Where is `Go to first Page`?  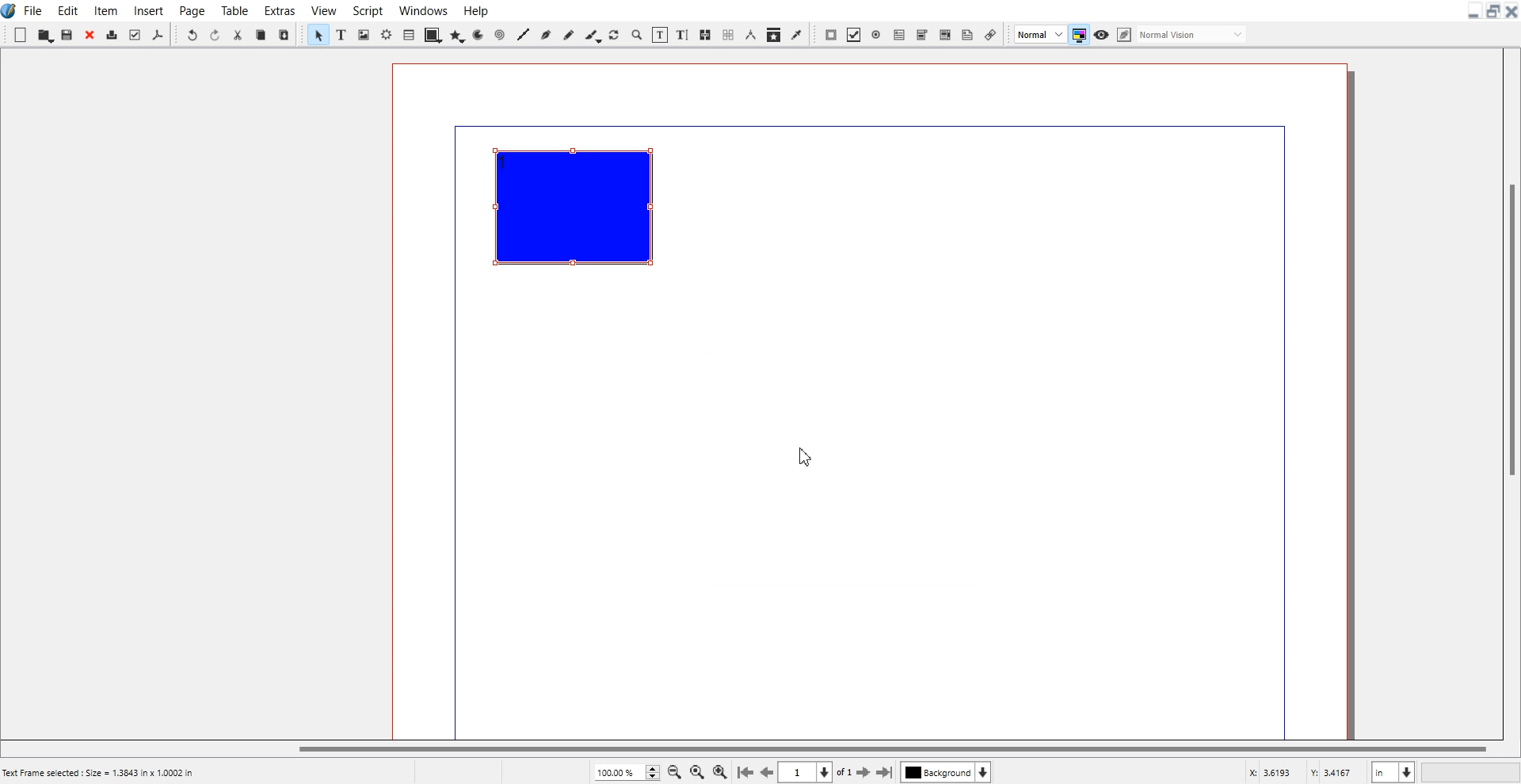
Go to first Page is located at coordinates (745, 773).